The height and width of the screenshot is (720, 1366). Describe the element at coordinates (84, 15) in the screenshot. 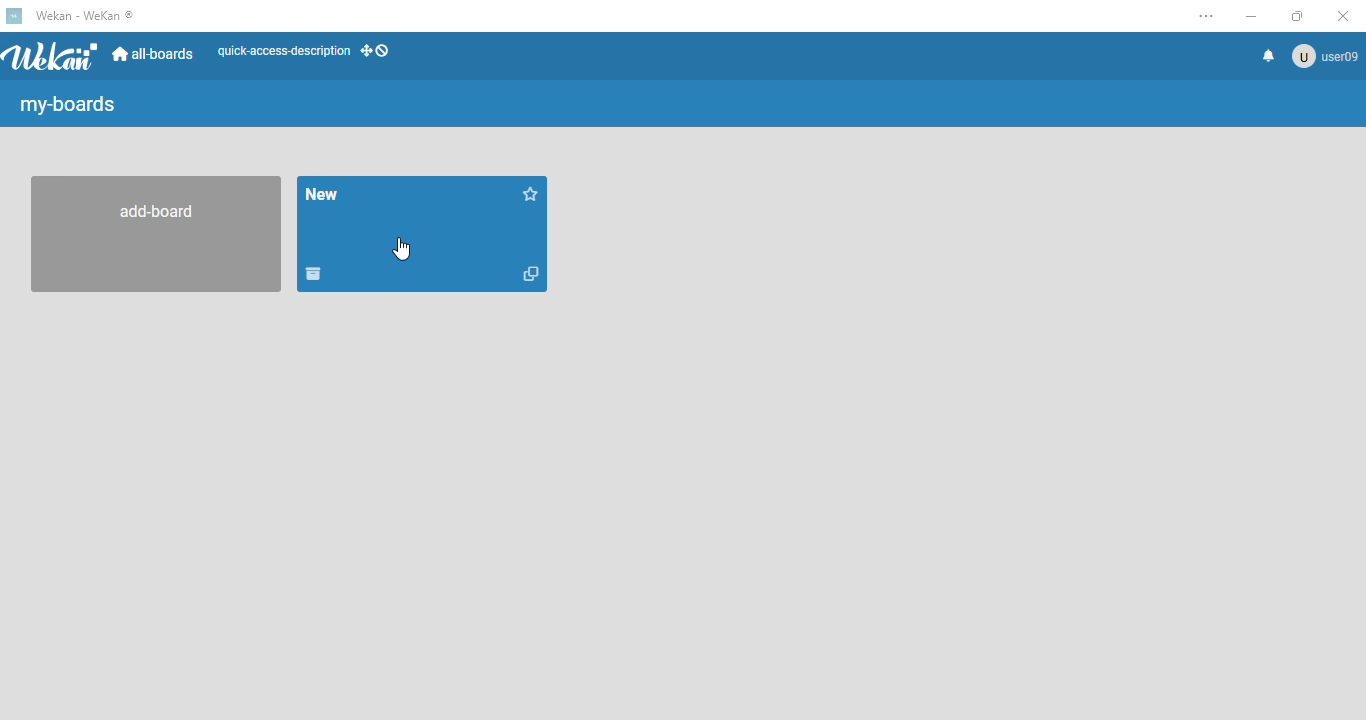

I see `wekan - wekan` at that location.